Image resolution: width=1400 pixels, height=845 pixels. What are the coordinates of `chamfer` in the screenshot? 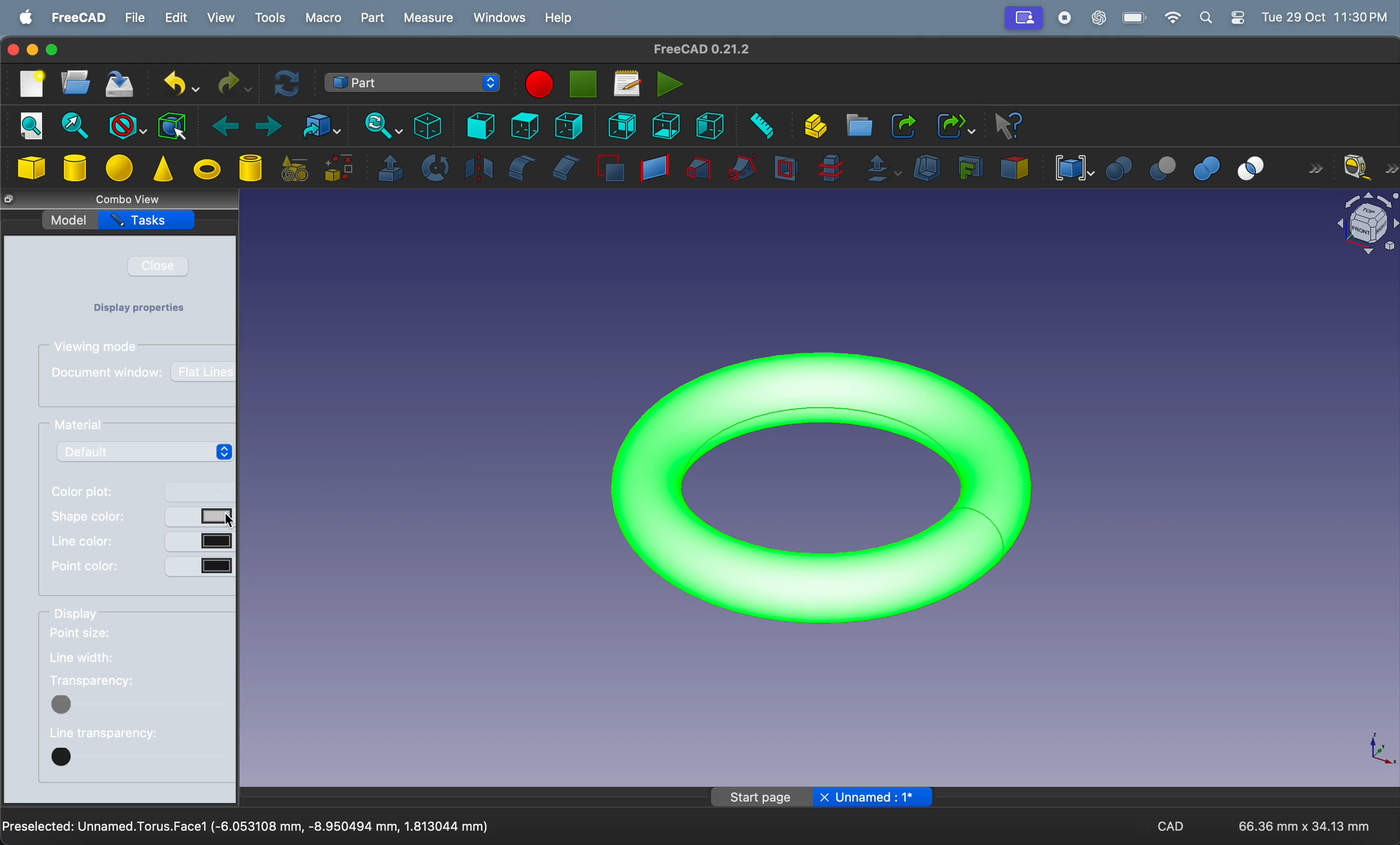 It's located at (566, 168).